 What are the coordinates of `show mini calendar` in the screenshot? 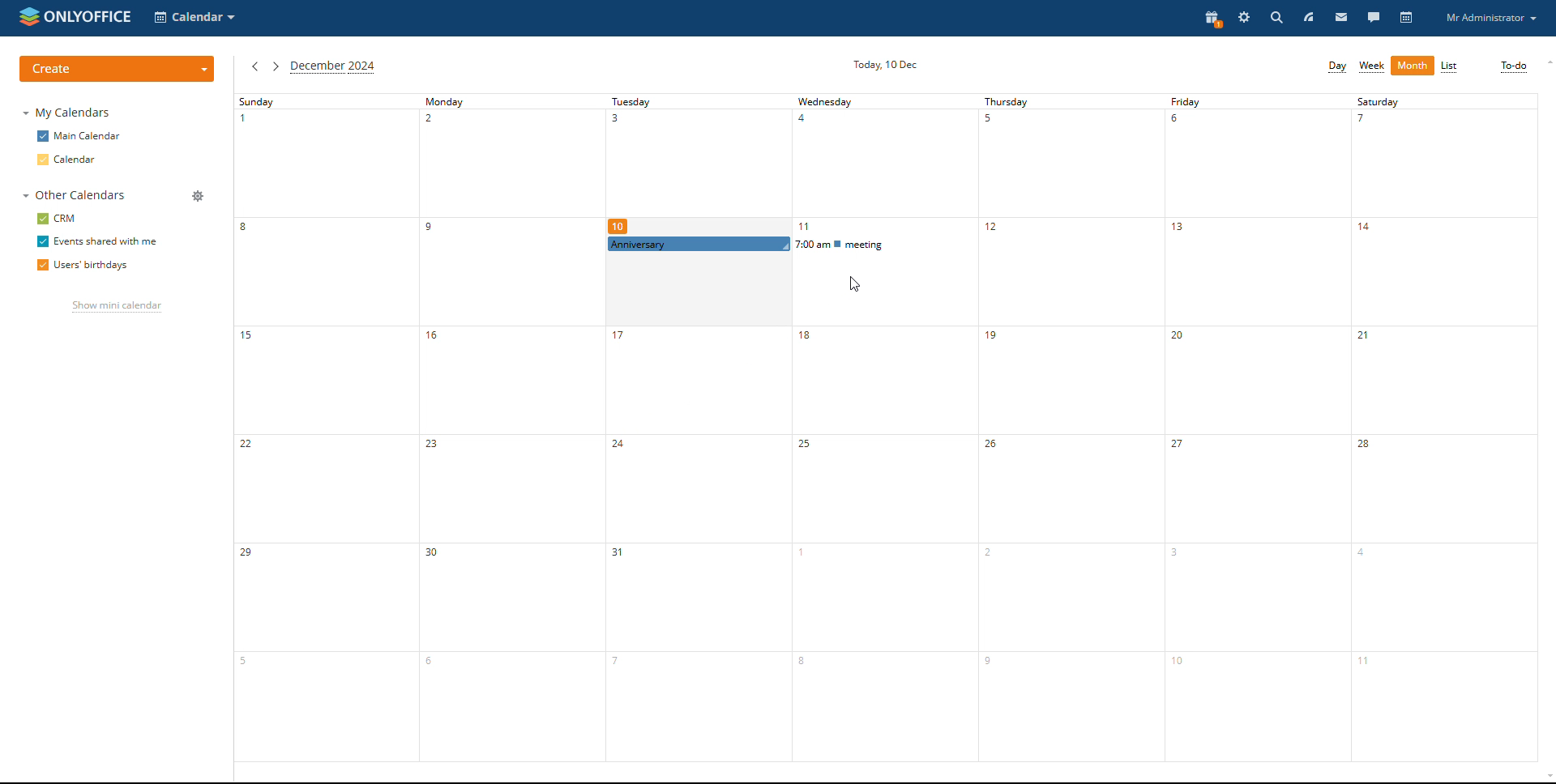 It's located at (116, 308).